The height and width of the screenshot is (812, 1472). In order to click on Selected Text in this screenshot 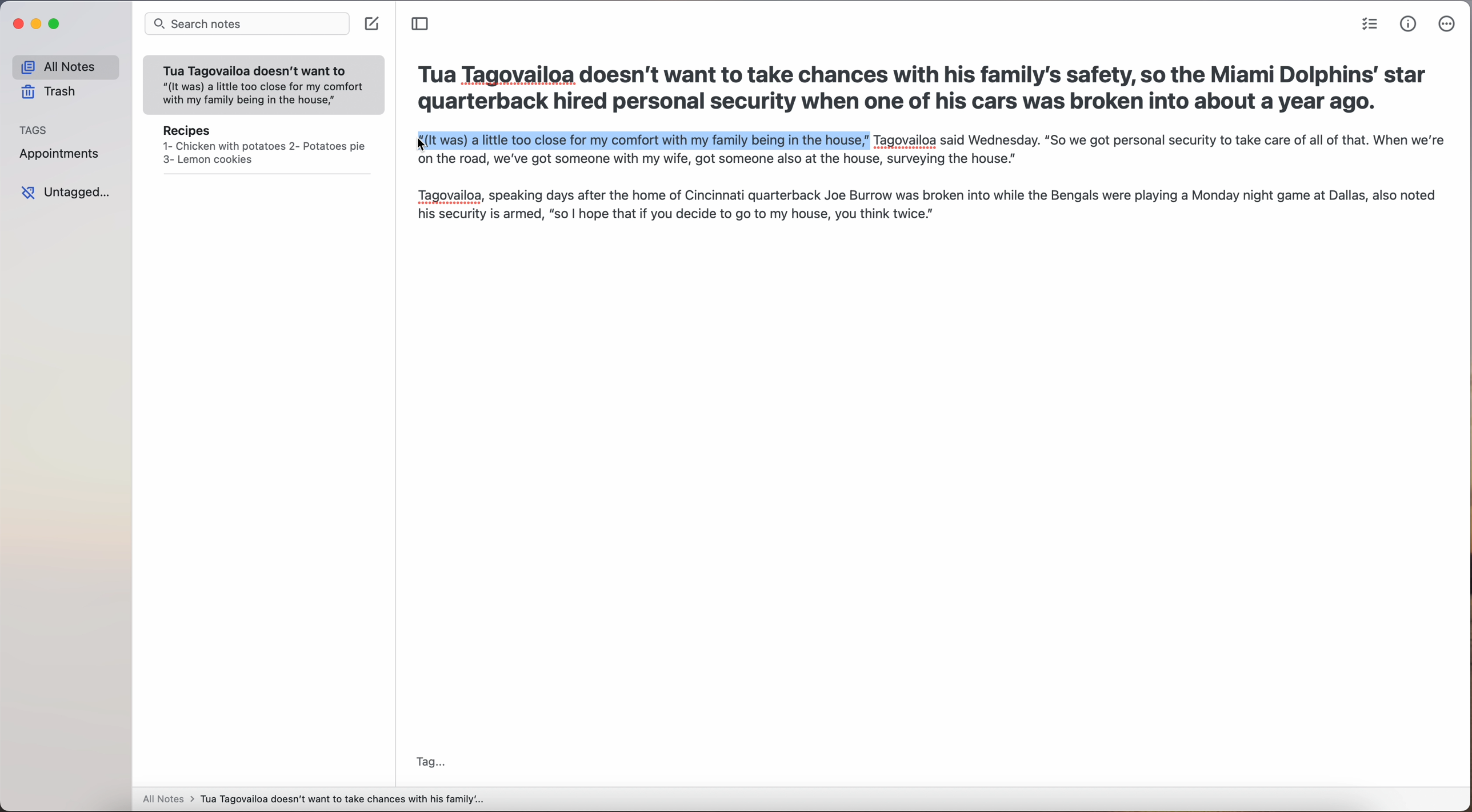, I will do `click(641, 142)`.